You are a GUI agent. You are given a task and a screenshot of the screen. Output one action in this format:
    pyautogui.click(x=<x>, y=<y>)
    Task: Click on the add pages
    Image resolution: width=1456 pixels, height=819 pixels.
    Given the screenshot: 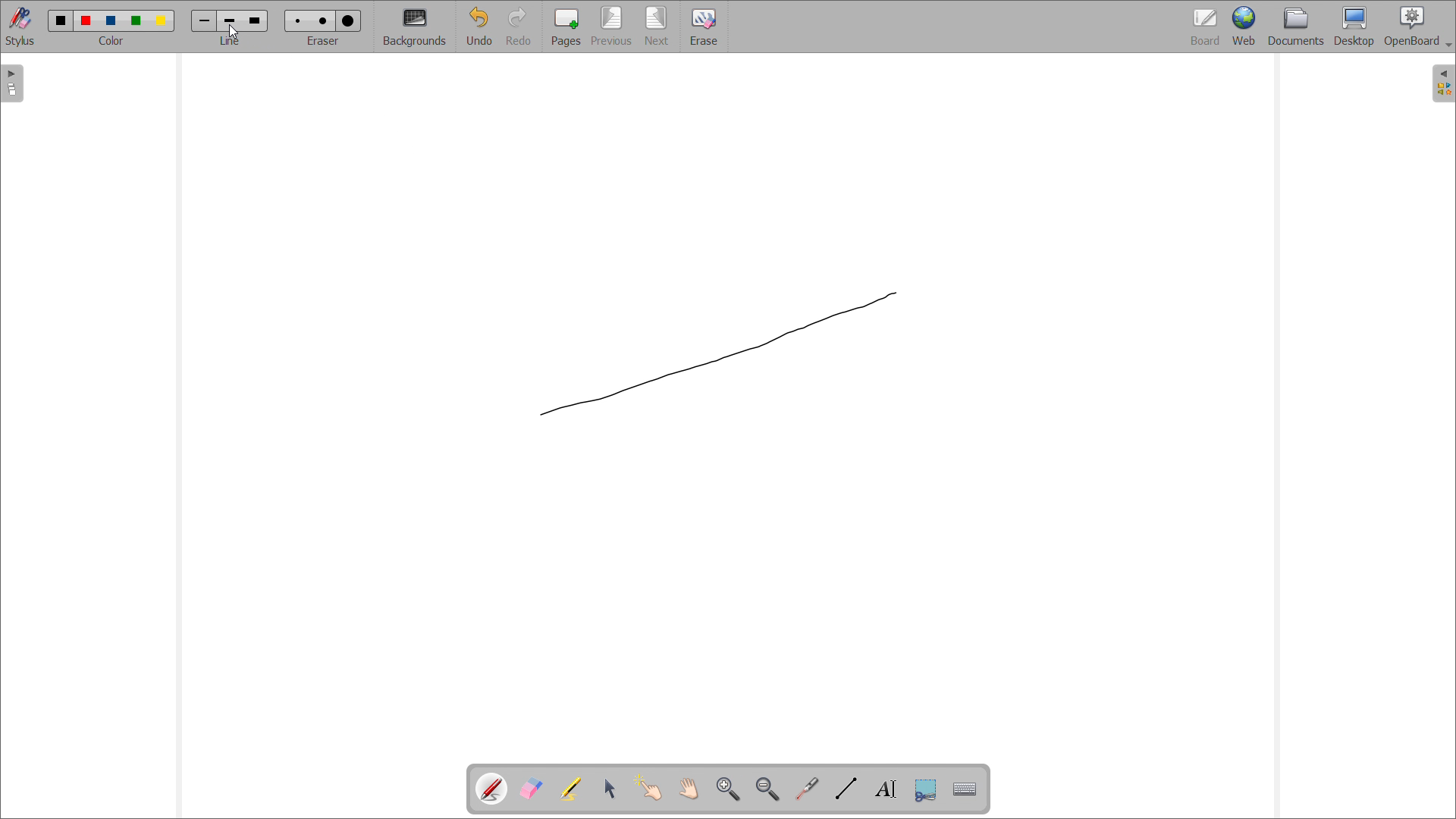 What is the action you would take?
    pyautogui.click(x=566, y=27)
    